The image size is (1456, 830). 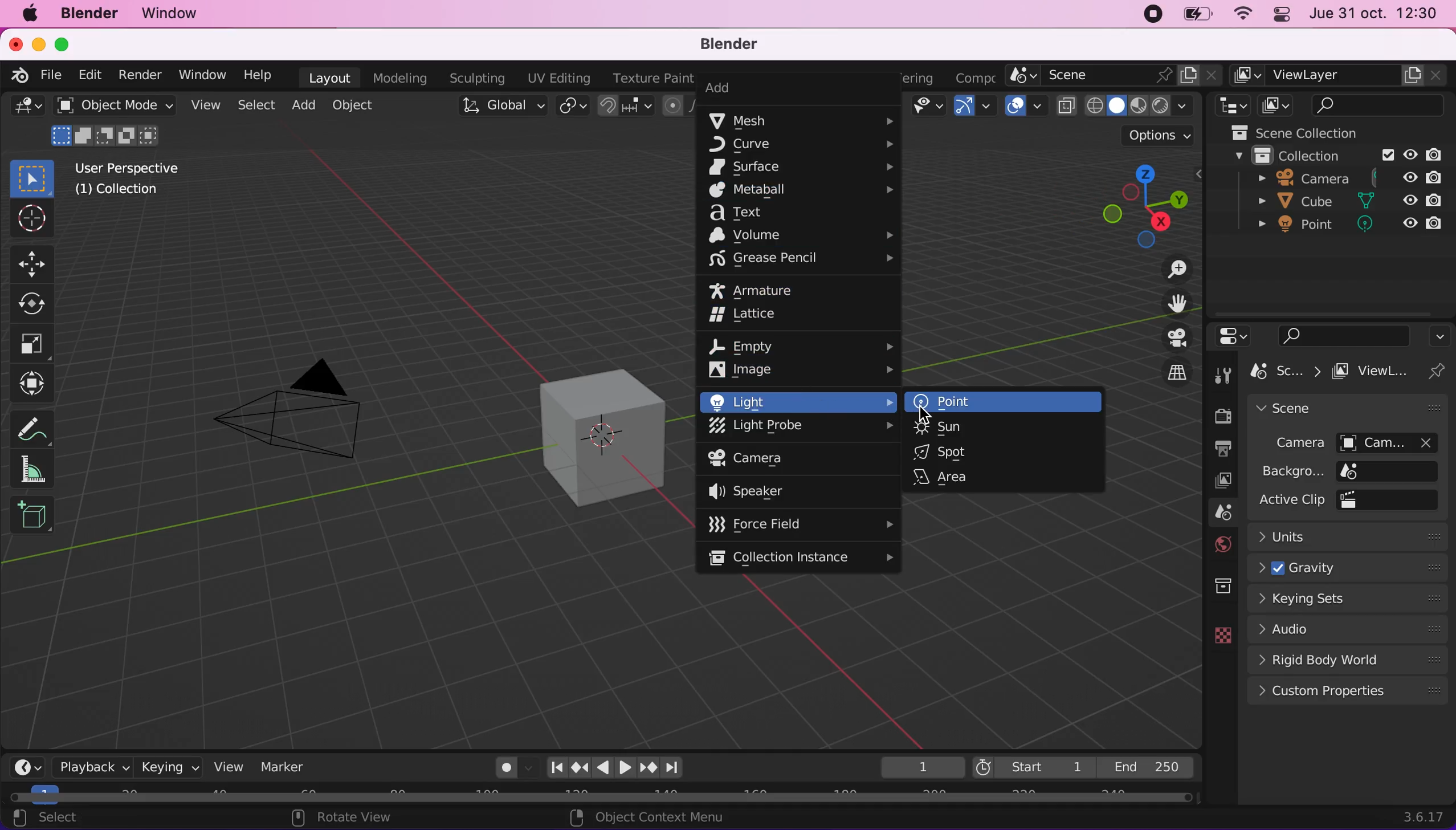 I want to click on editor type, so click(x=1235, y=334).